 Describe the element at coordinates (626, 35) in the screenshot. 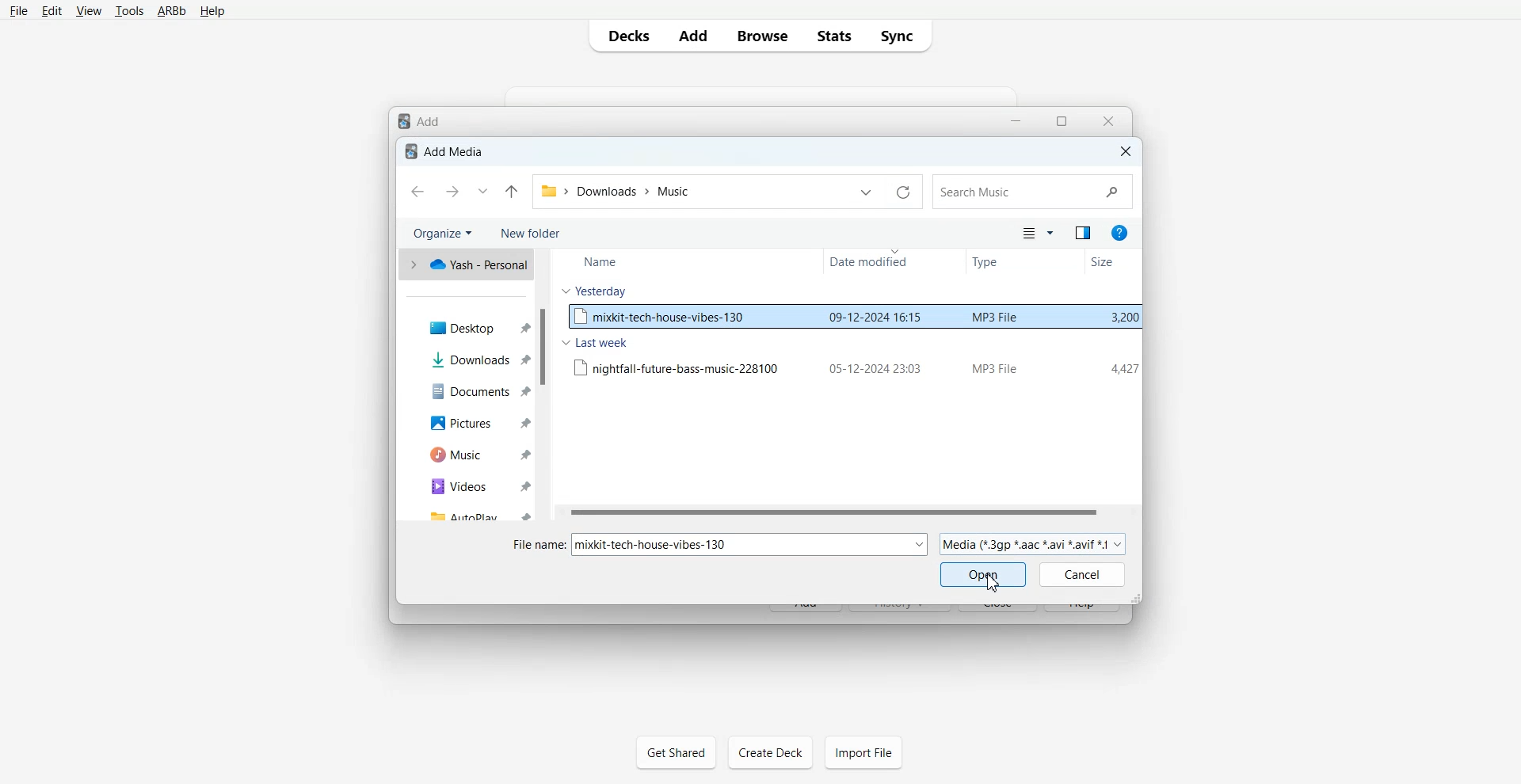

I see `Decks` at that location.